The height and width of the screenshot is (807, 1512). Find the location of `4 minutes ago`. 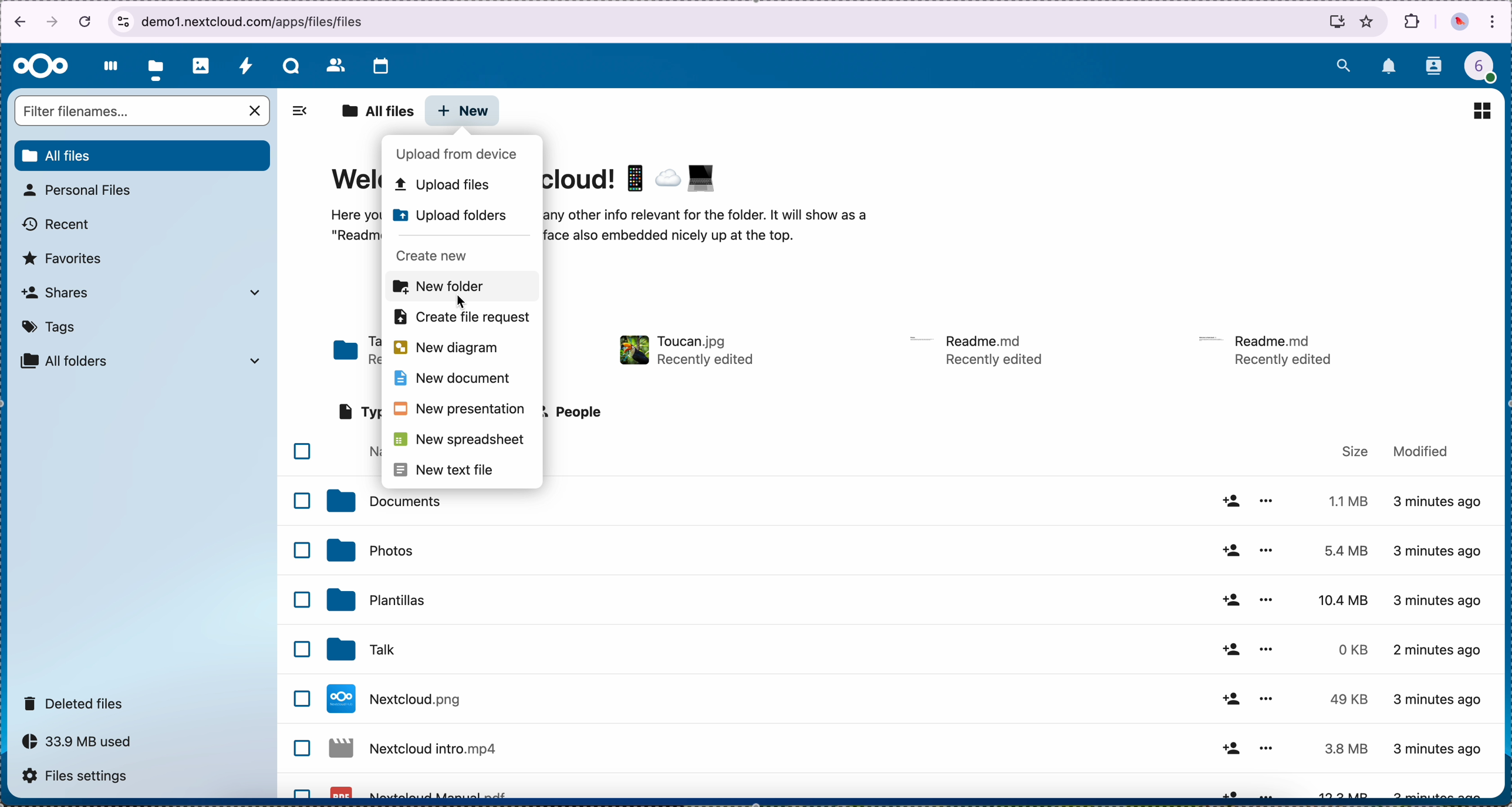

4 minutes ago is located at coordinates (1439, 598).